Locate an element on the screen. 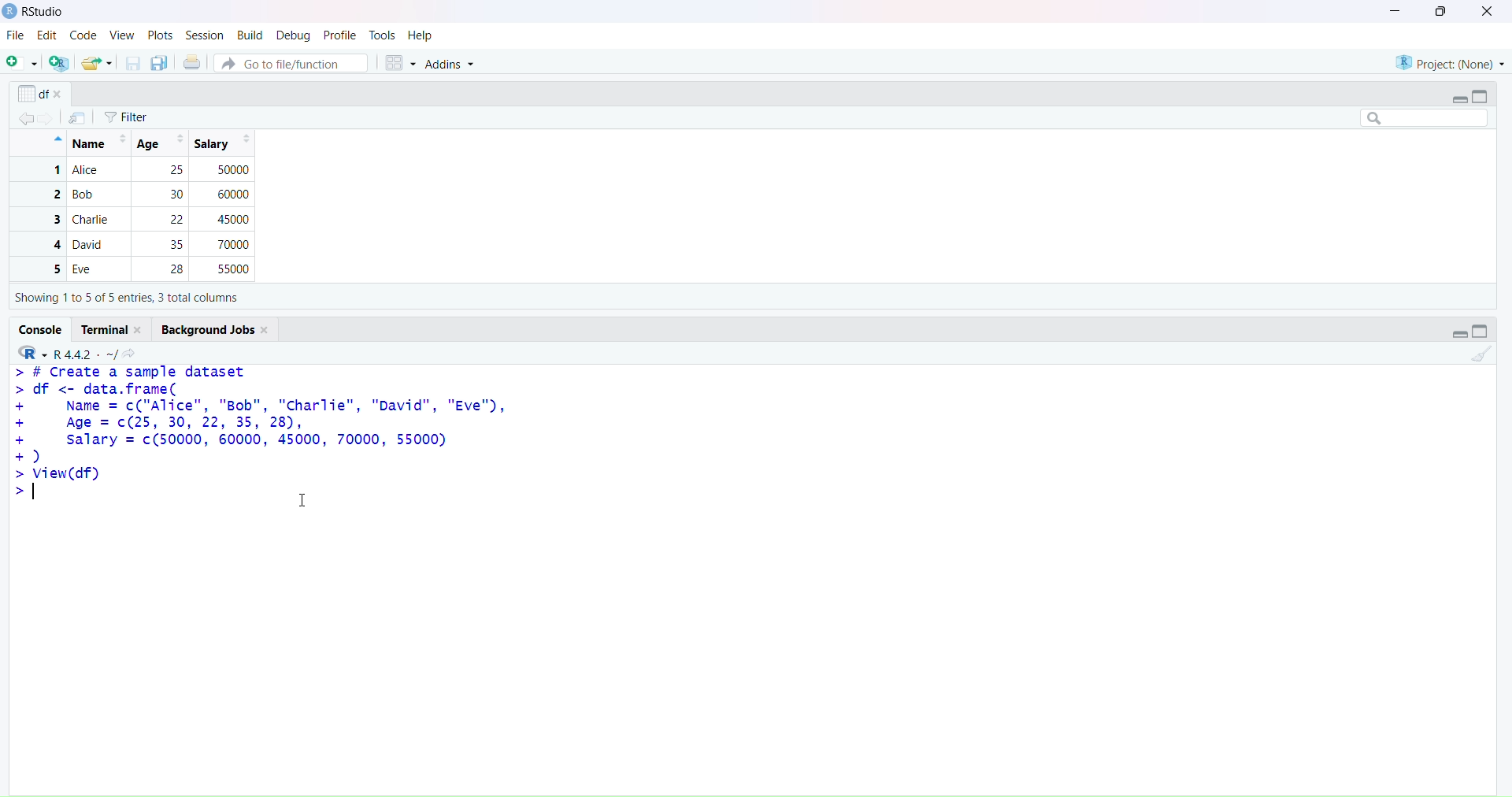 The image size is (1512, 797). workspace panes is located at coordinates (399, 64).